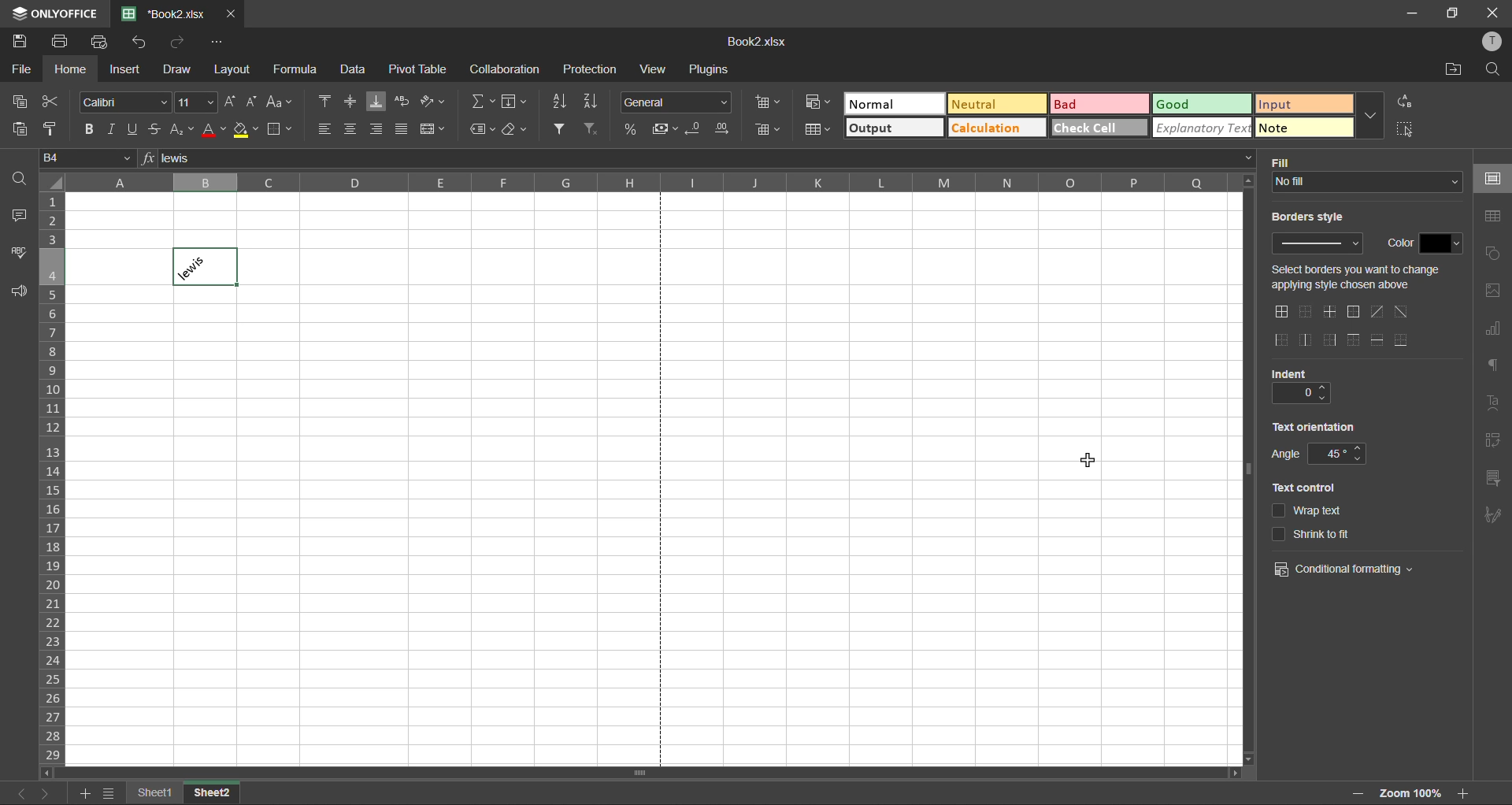 The width and height of the screenshot is (1512, 805). What do you see at coordinates (1316, 426) in the screenshot?
I see `text orientation ` at bounding box center [1316, 426].